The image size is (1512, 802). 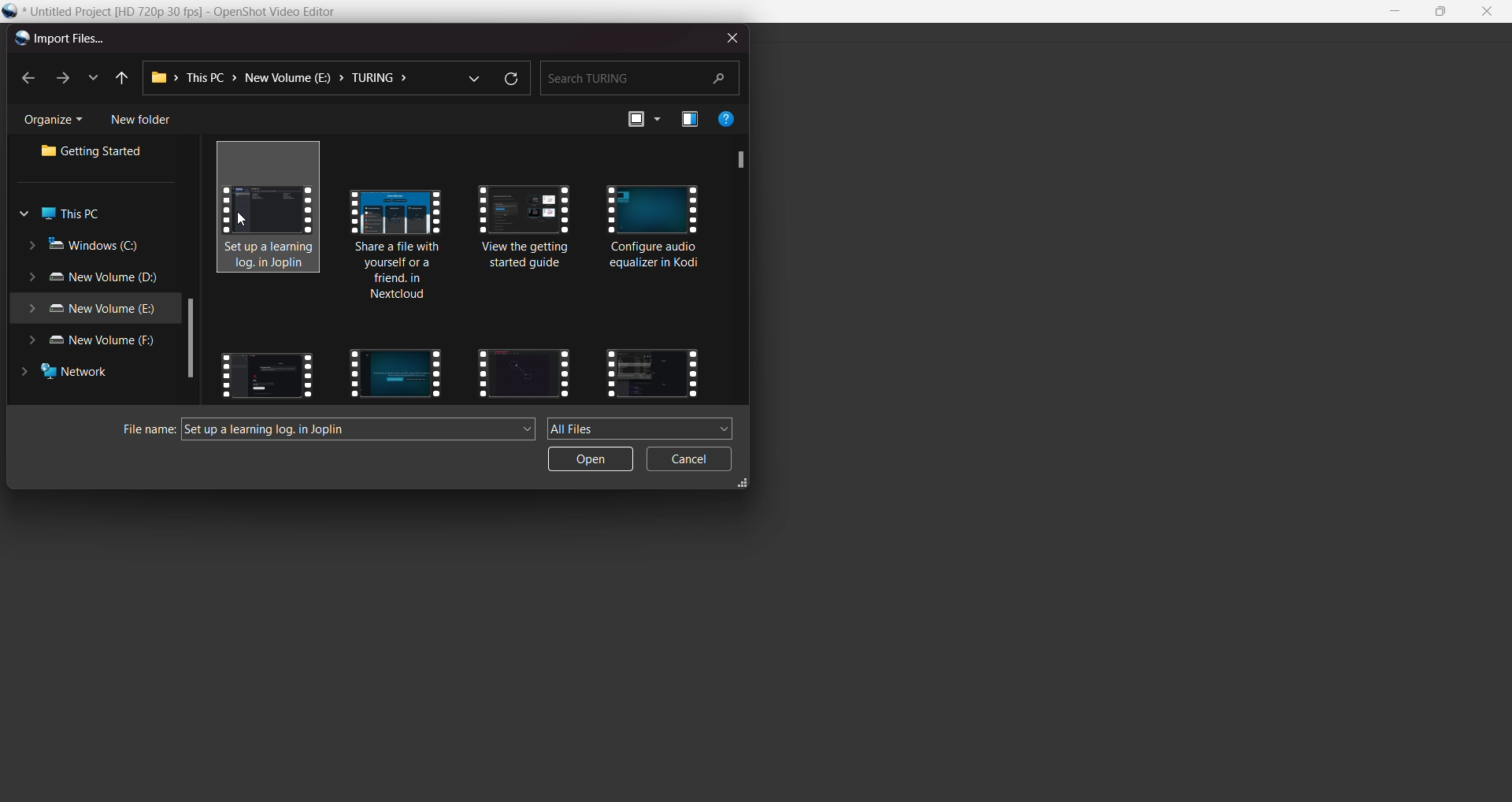 What do you see at coordinates (91, 76) in the screenshot?
I see `list` at bounding box center [91, 76].